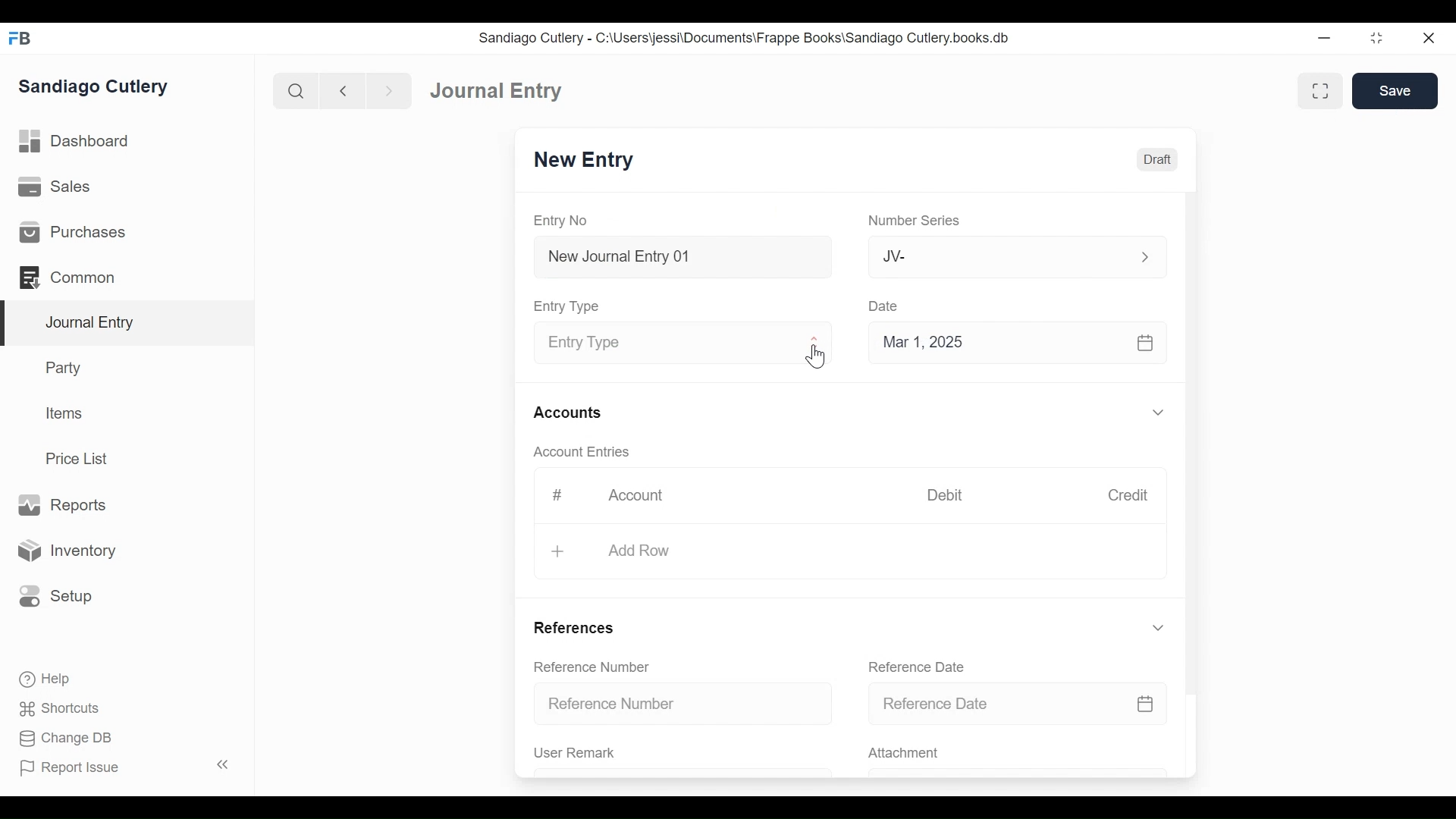  What do you see at coordinates (1326, 35) in the screenshot?
I see `minimize` at bounding box center [1326, 35].